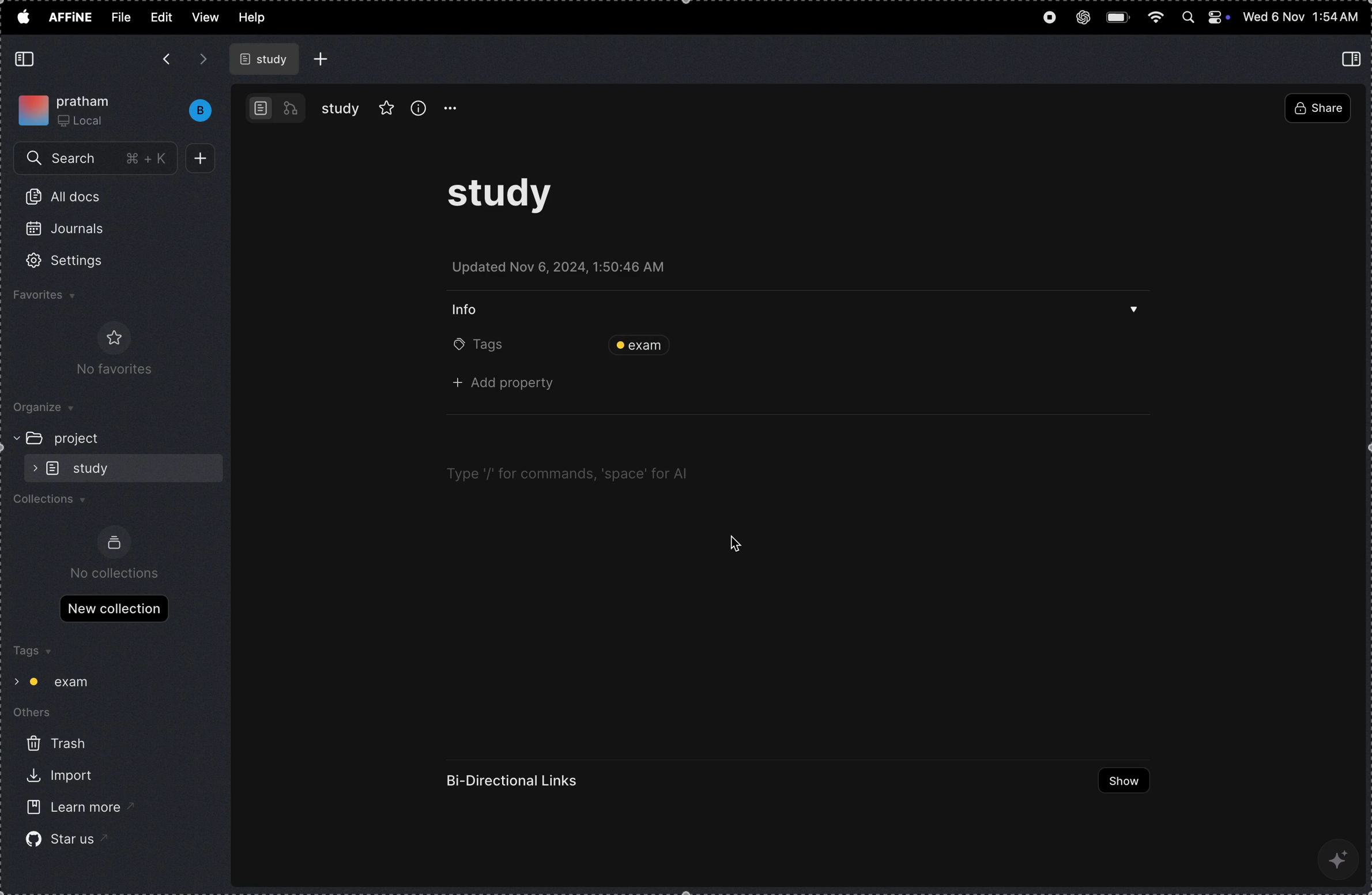  I want to click on expand/collapse, so click(14, 679).